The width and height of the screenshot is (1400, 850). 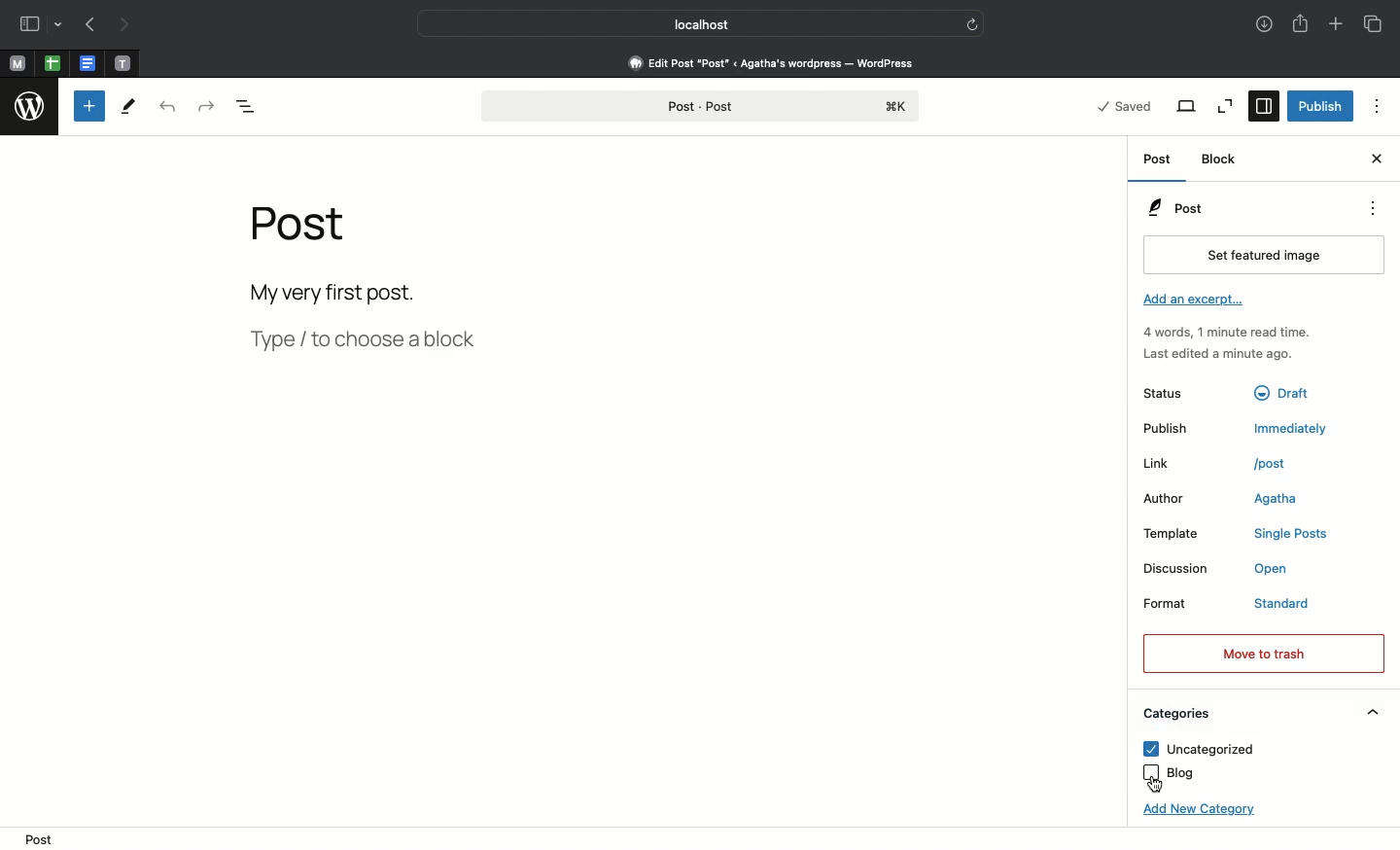 I want to click on Tools, so click(x=127, y=110).